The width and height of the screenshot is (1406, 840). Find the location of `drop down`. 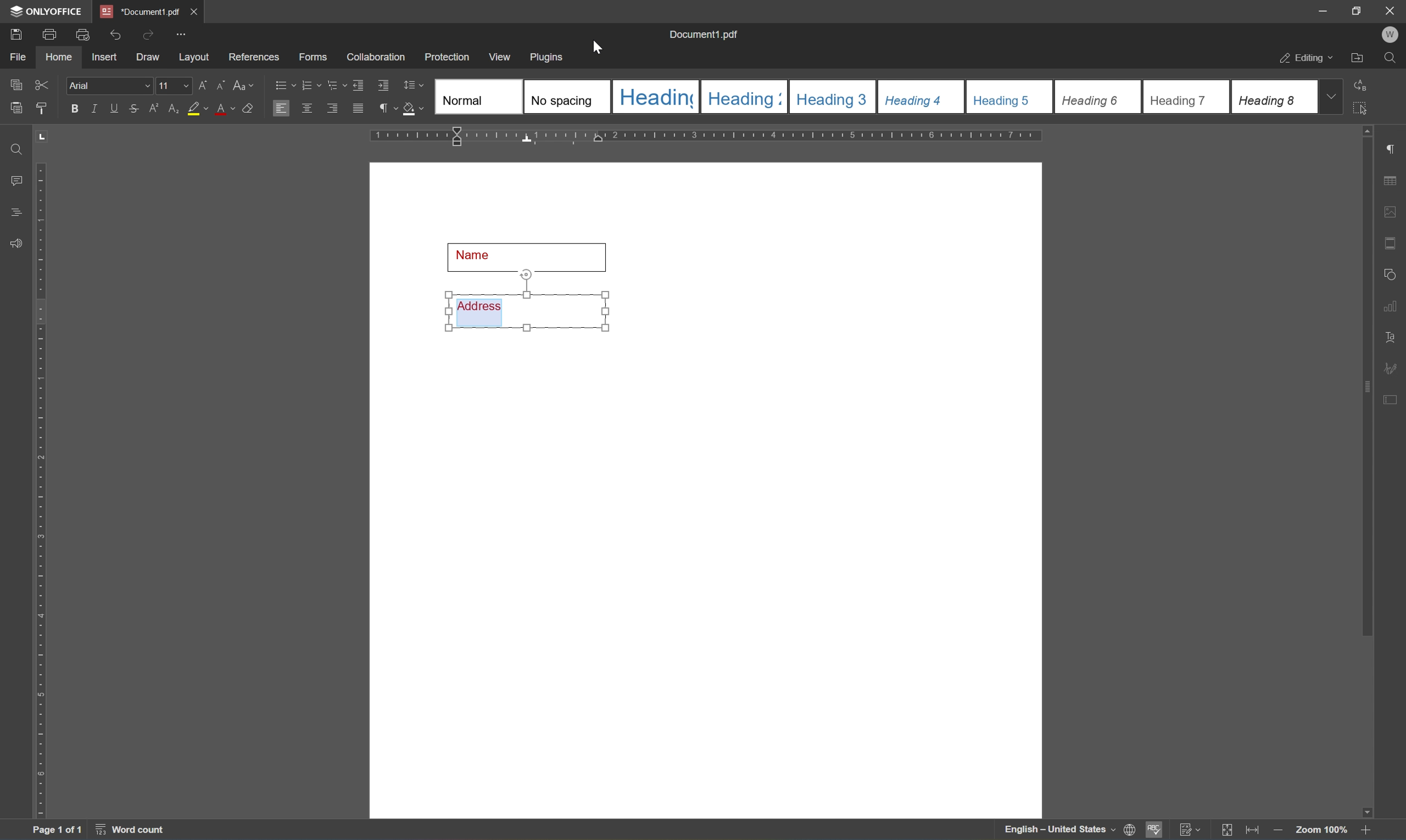

drop down is located at coordinates (1335, 97).